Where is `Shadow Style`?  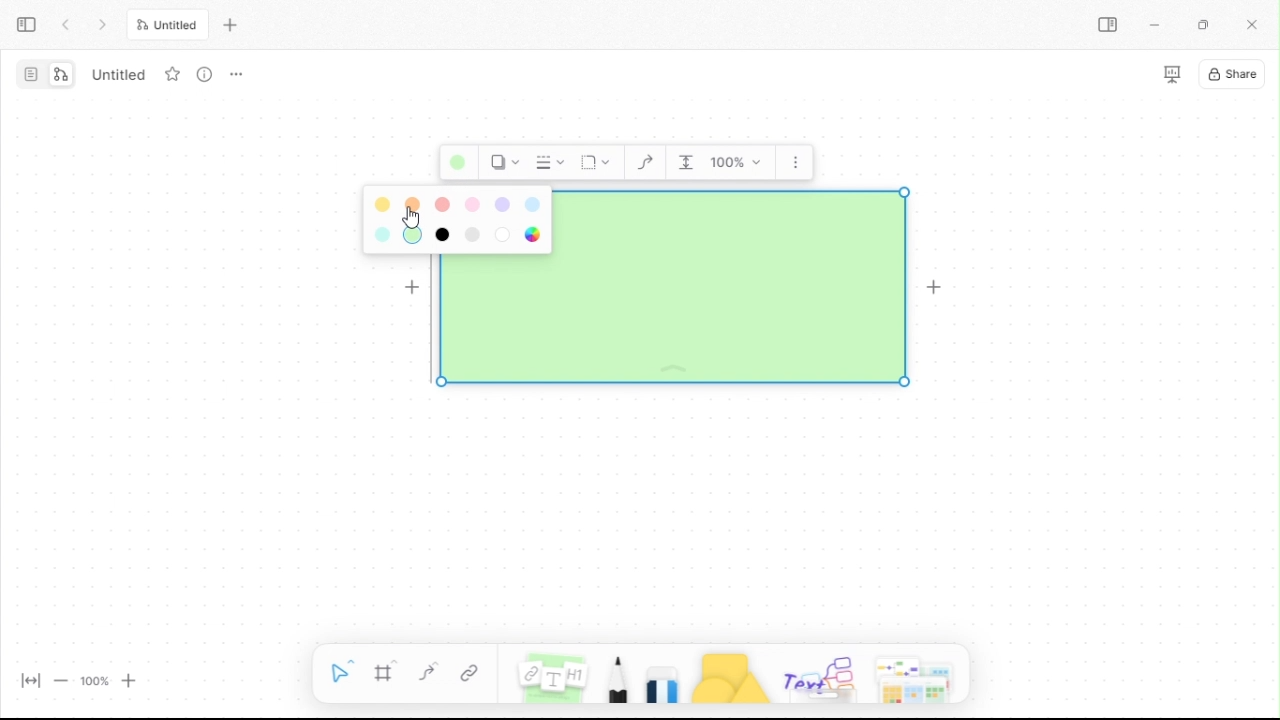 Shadow Style is located at coordinates (503, 162).